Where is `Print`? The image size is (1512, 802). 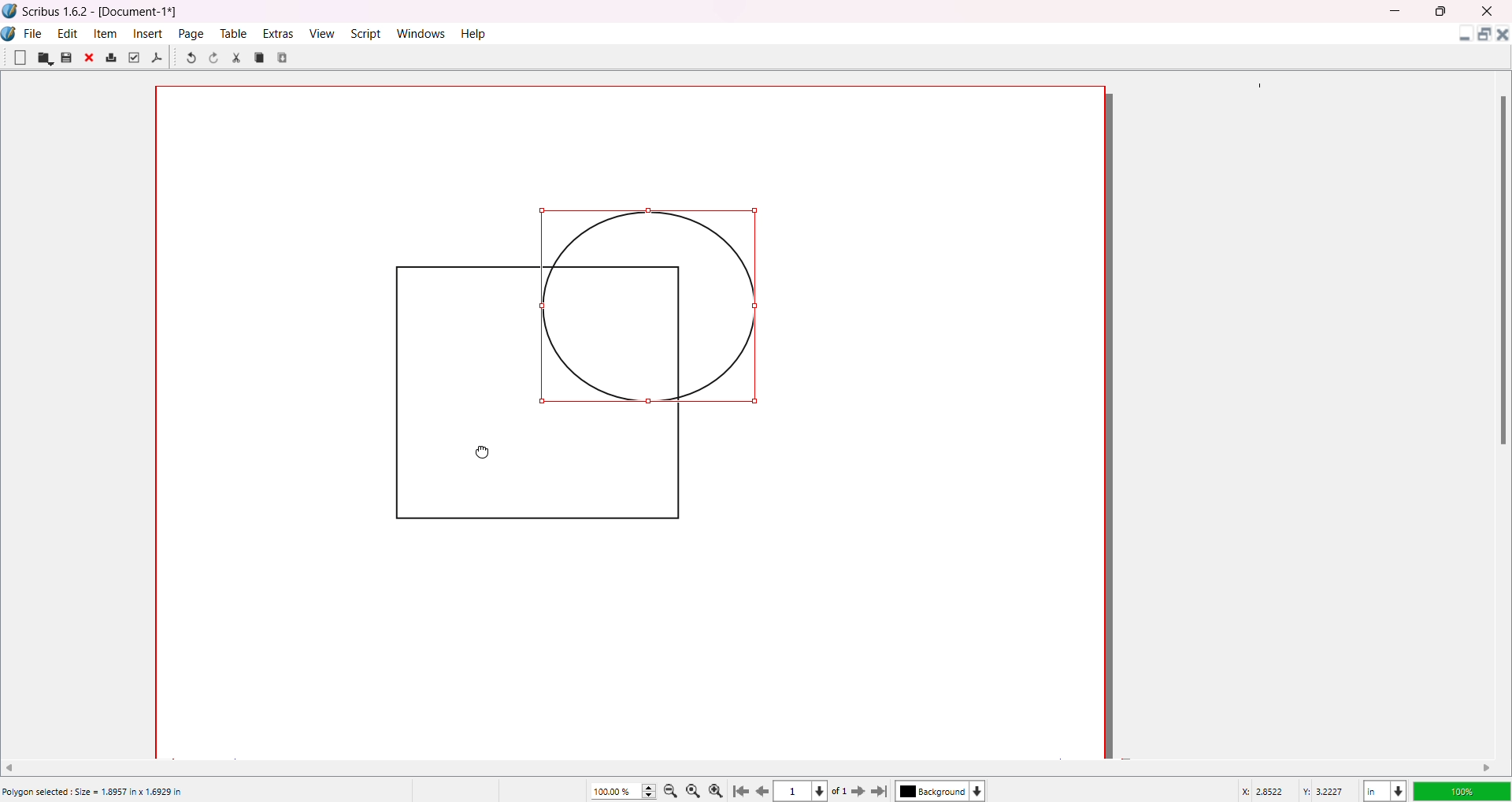
Print is located at coordinates (111, 58).